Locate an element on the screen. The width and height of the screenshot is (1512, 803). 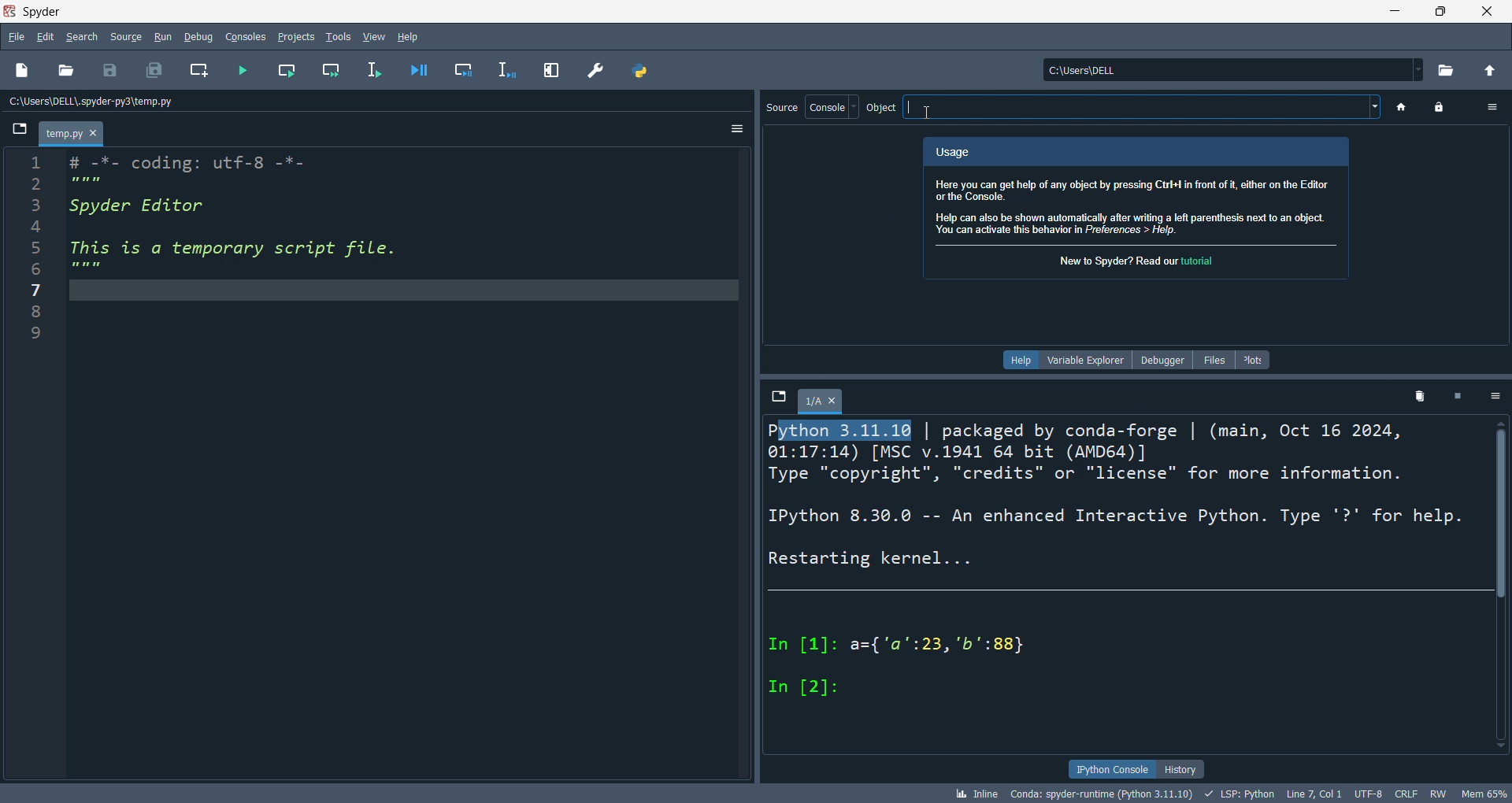
mem 65% is located at coordinates (1488, 794).